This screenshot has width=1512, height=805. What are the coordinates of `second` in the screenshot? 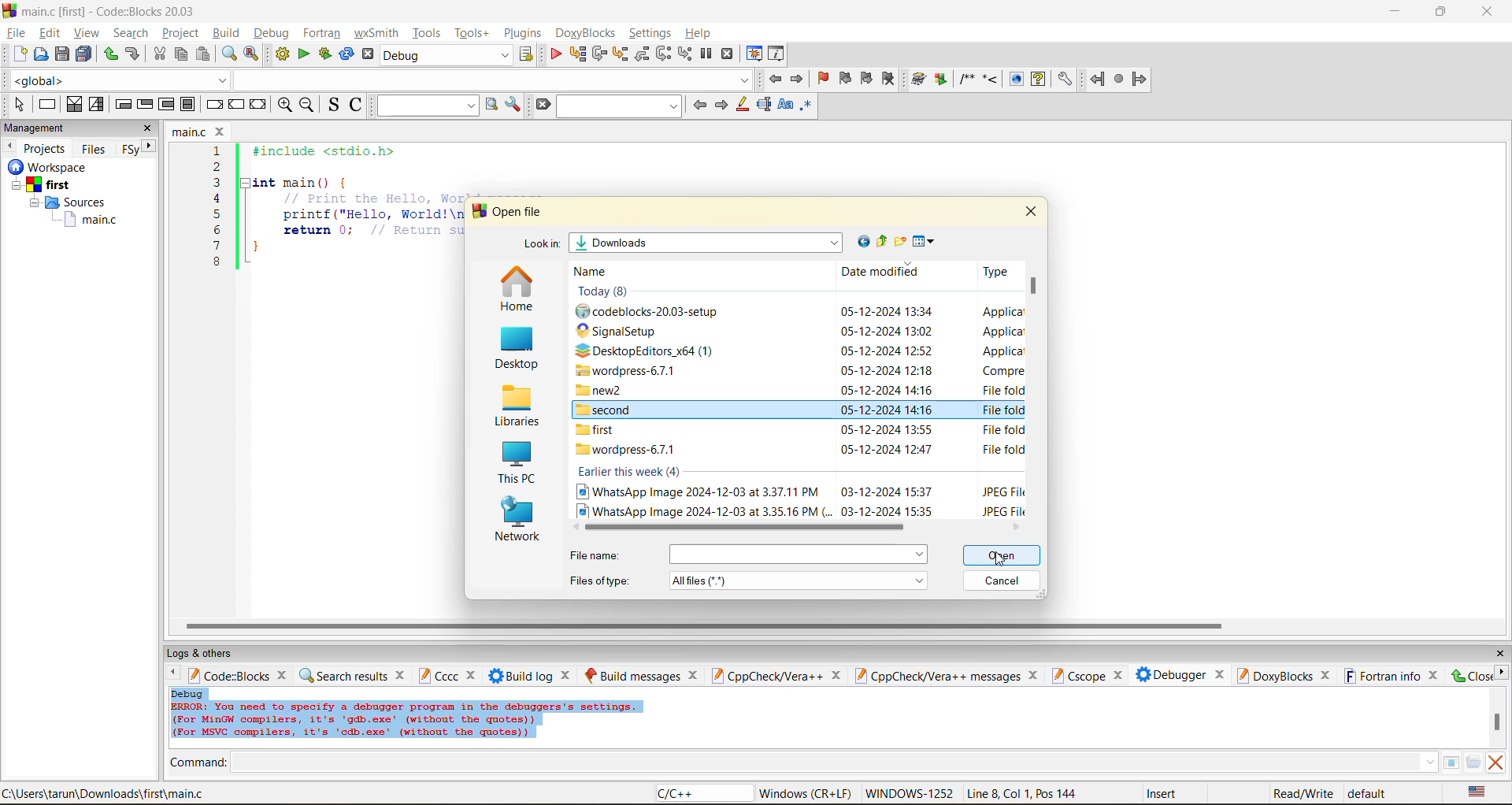 It's located at (606, 410).